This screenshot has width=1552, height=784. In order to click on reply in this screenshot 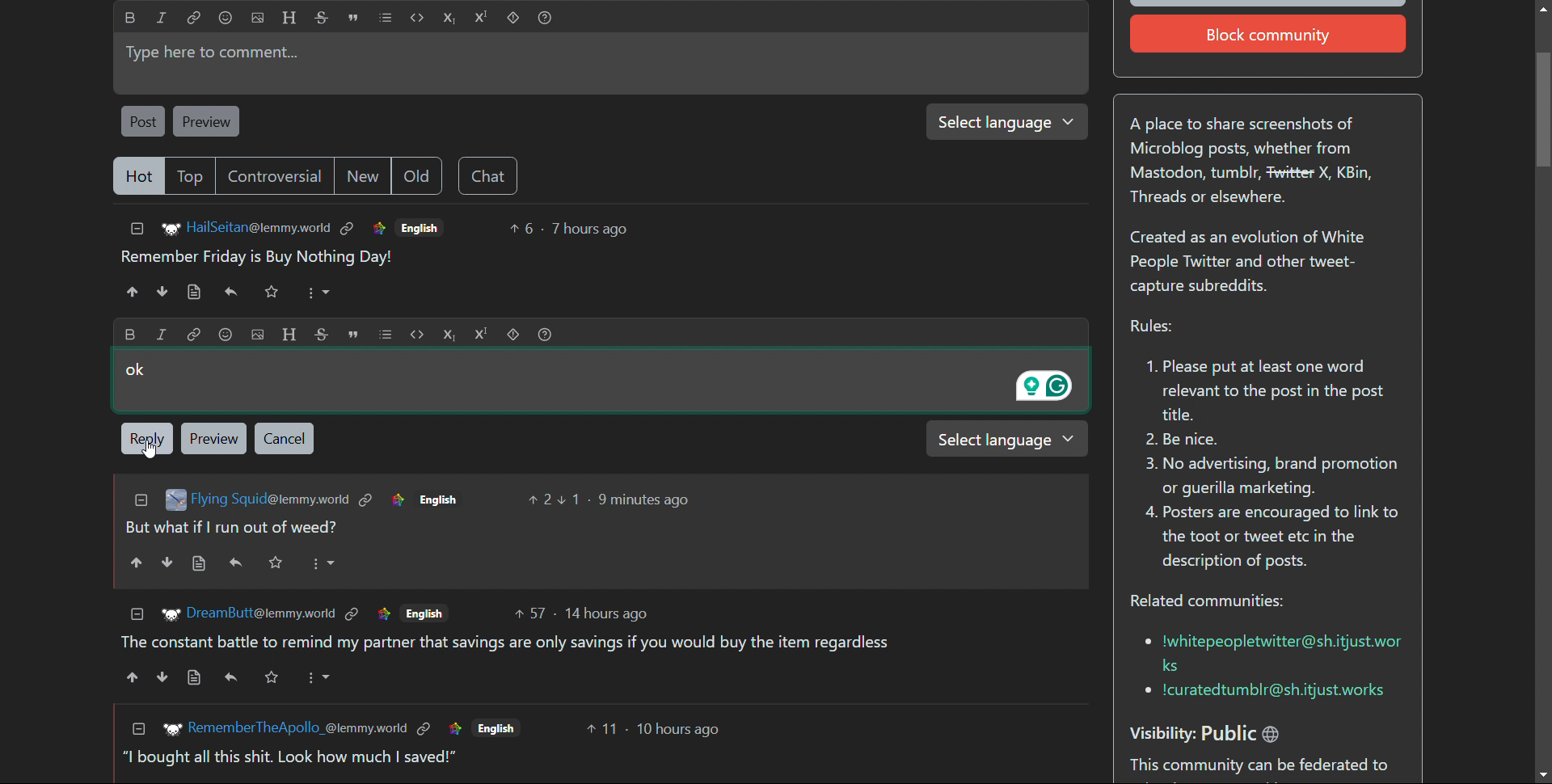, I will do `click(226, 677)`.